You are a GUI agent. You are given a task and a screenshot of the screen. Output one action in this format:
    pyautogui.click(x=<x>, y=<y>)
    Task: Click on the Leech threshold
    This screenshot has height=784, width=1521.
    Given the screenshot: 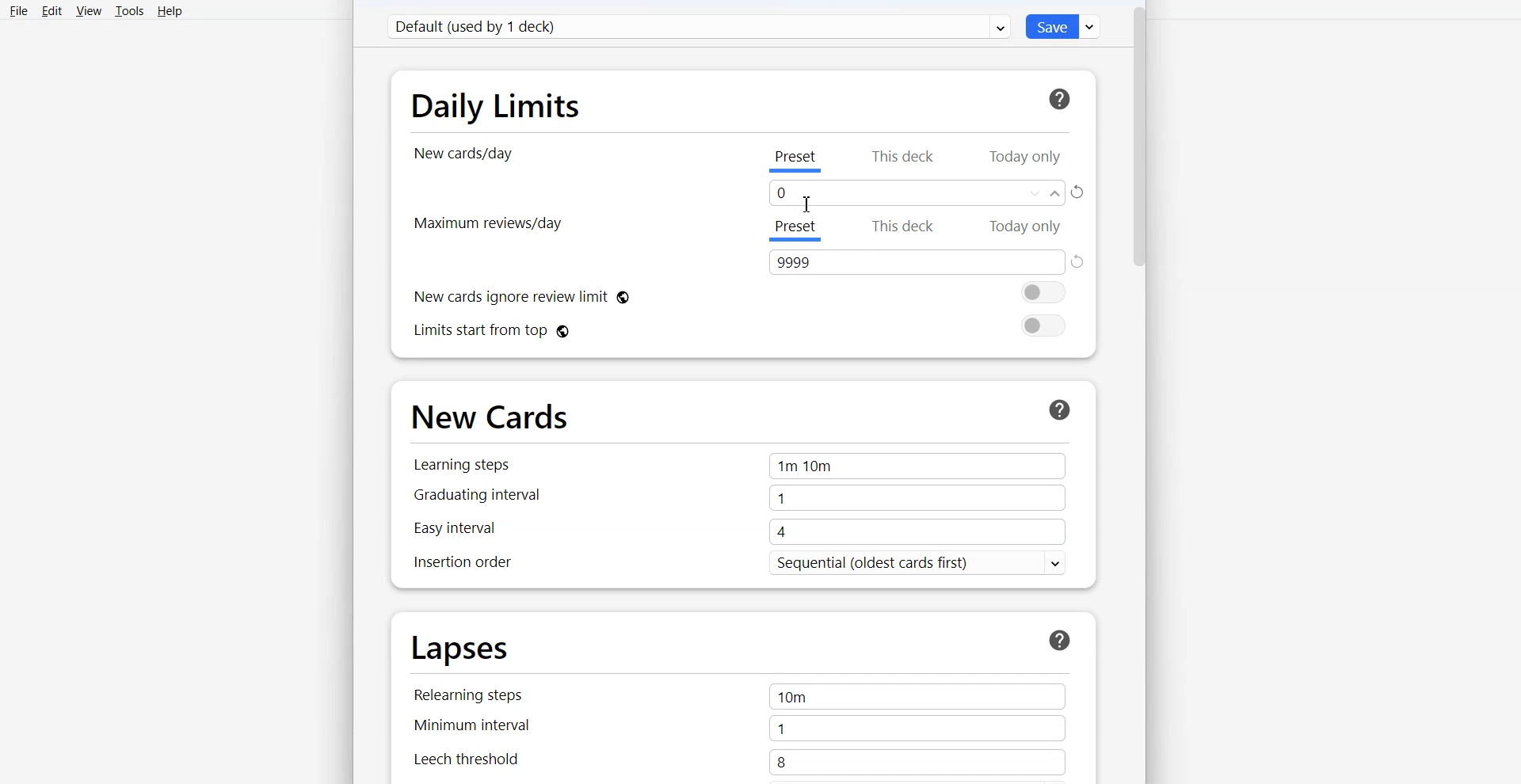 What is the action you would take?
    pyautogui.click(x=477, y=760)
    